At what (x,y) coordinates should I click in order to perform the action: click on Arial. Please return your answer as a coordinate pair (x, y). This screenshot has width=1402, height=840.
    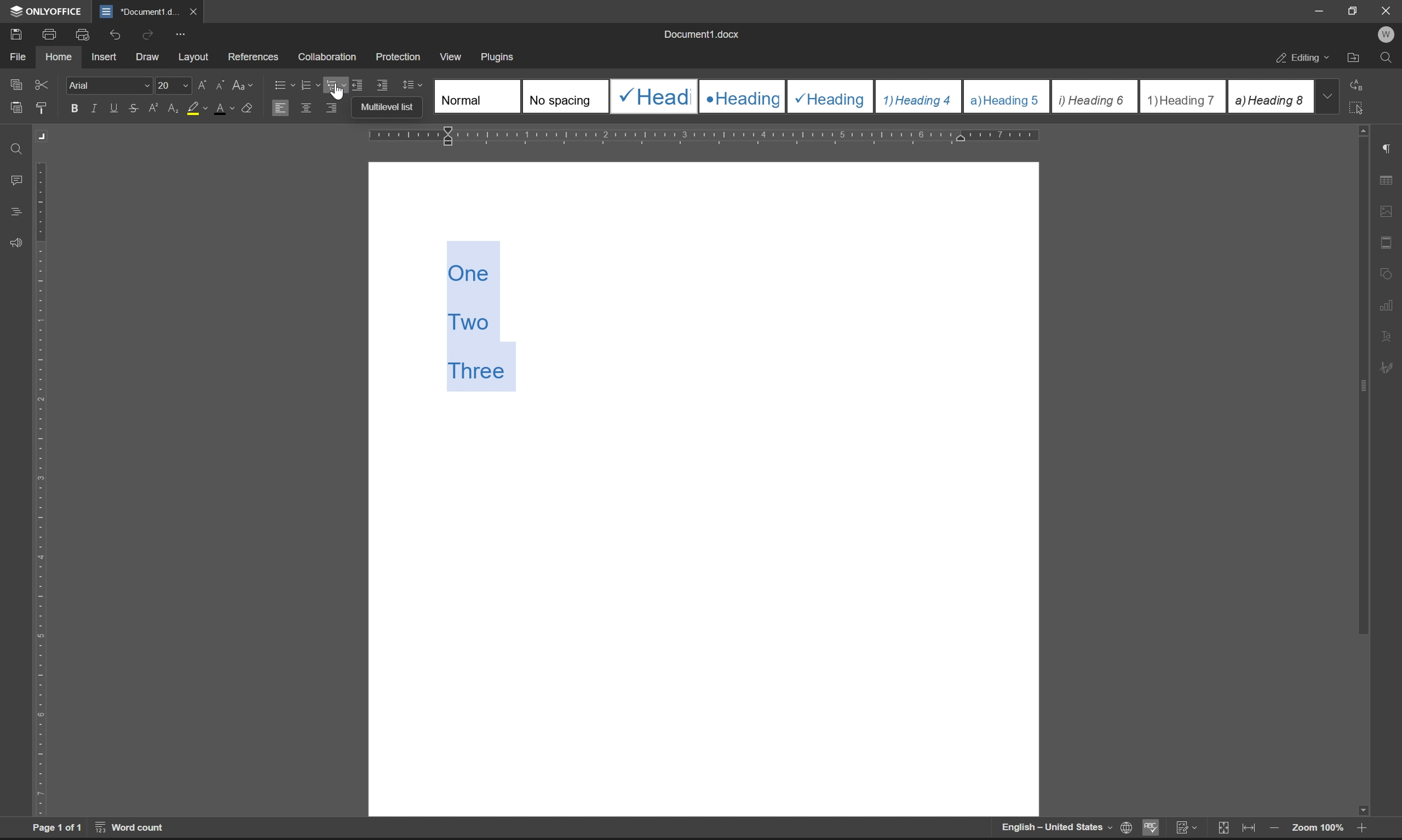
    Looking at the image, I should click on (108, 84).